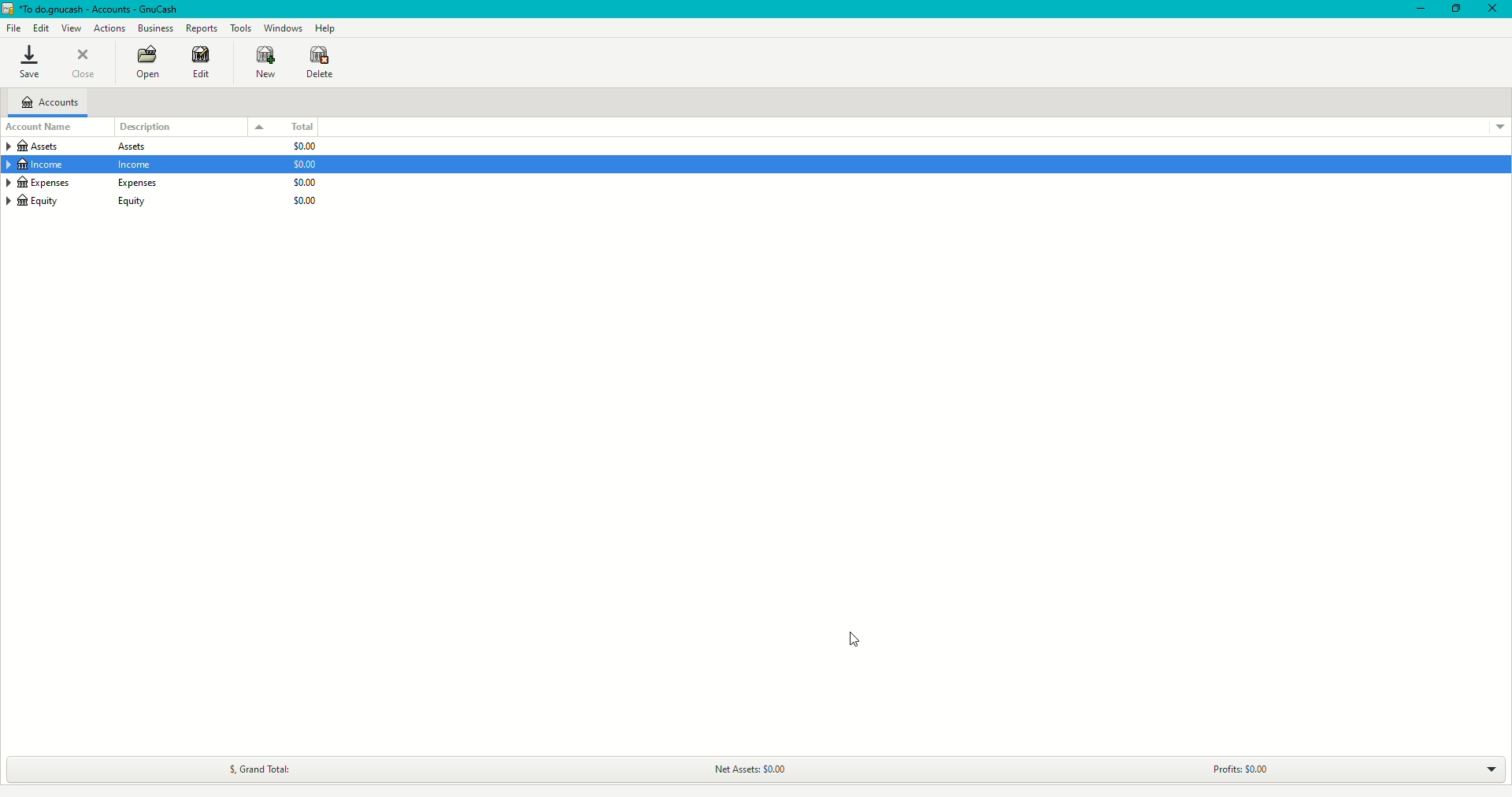  Describe the element at coordinates (111, 28) in the screenshot. I see `Actions` at that location.